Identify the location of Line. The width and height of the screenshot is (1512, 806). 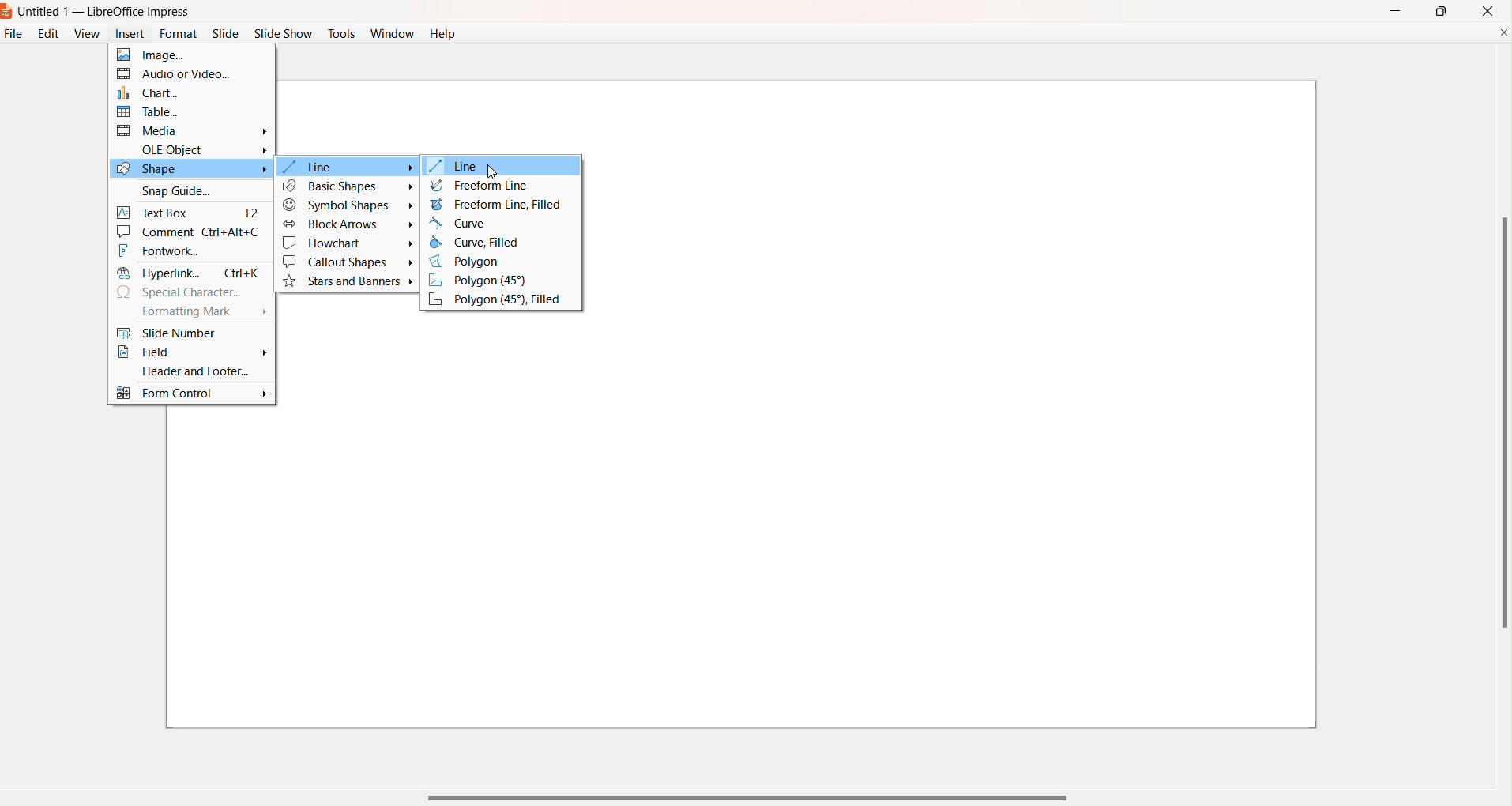
(460, 167).